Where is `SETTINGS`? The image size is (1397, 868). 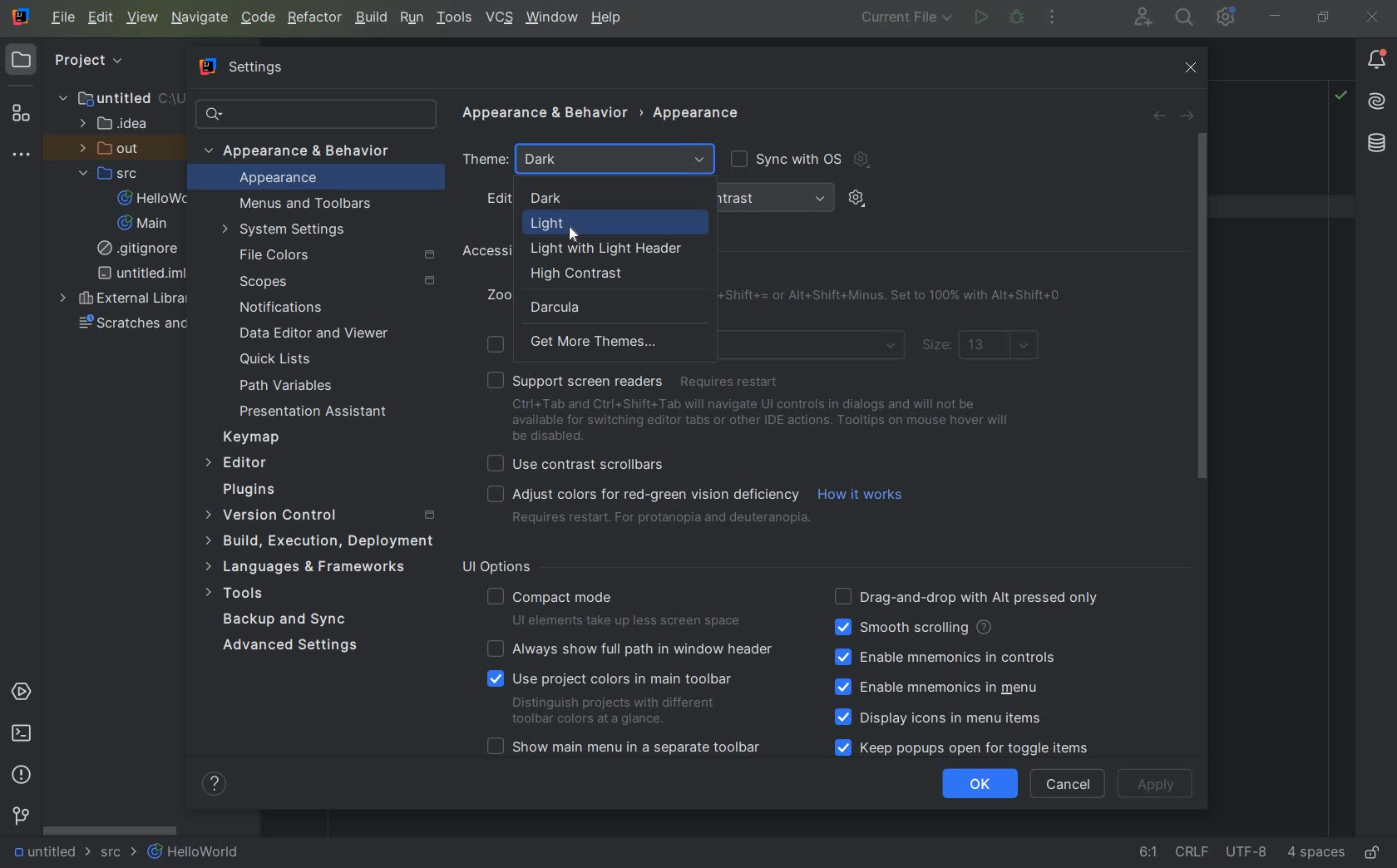 SETTINGS is located at coordinates (239, 65).